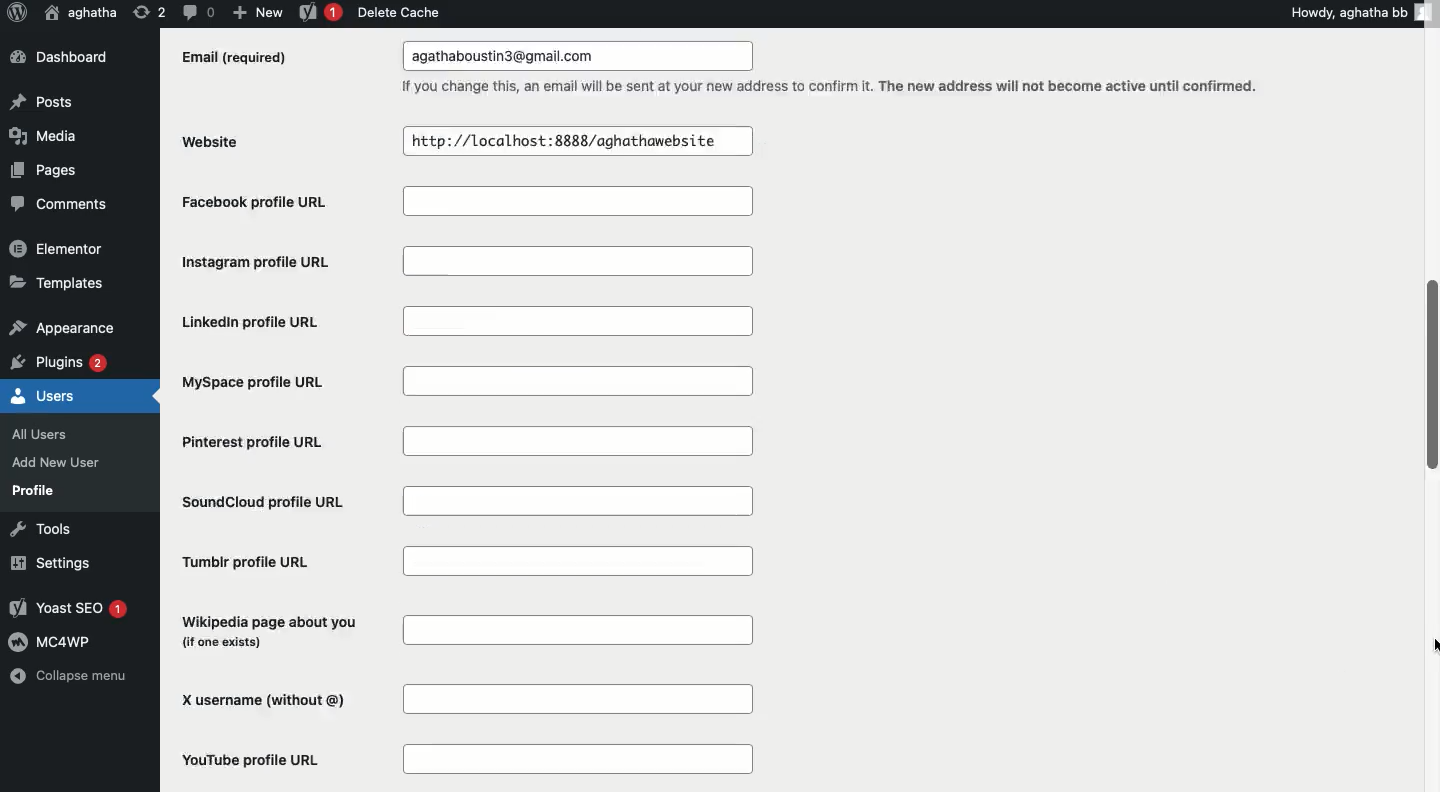 This screenshot has height=792, width=1440. I want to click on Appearance, so click(61, 325).